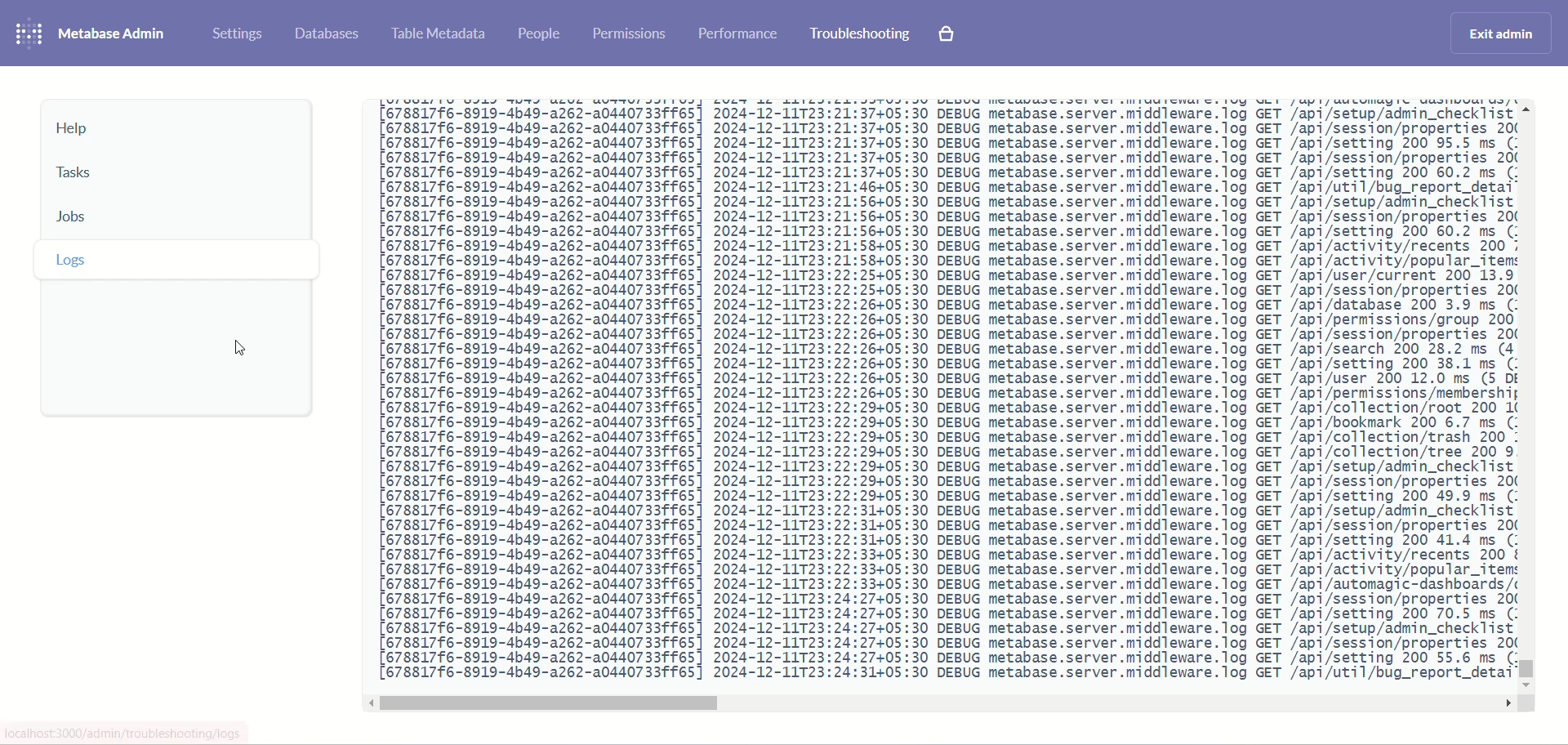 The height and width of the screenshot is (745, 1568). Describe the element at coordinates (177, 128) in the screenshot. I see `help` at that location.